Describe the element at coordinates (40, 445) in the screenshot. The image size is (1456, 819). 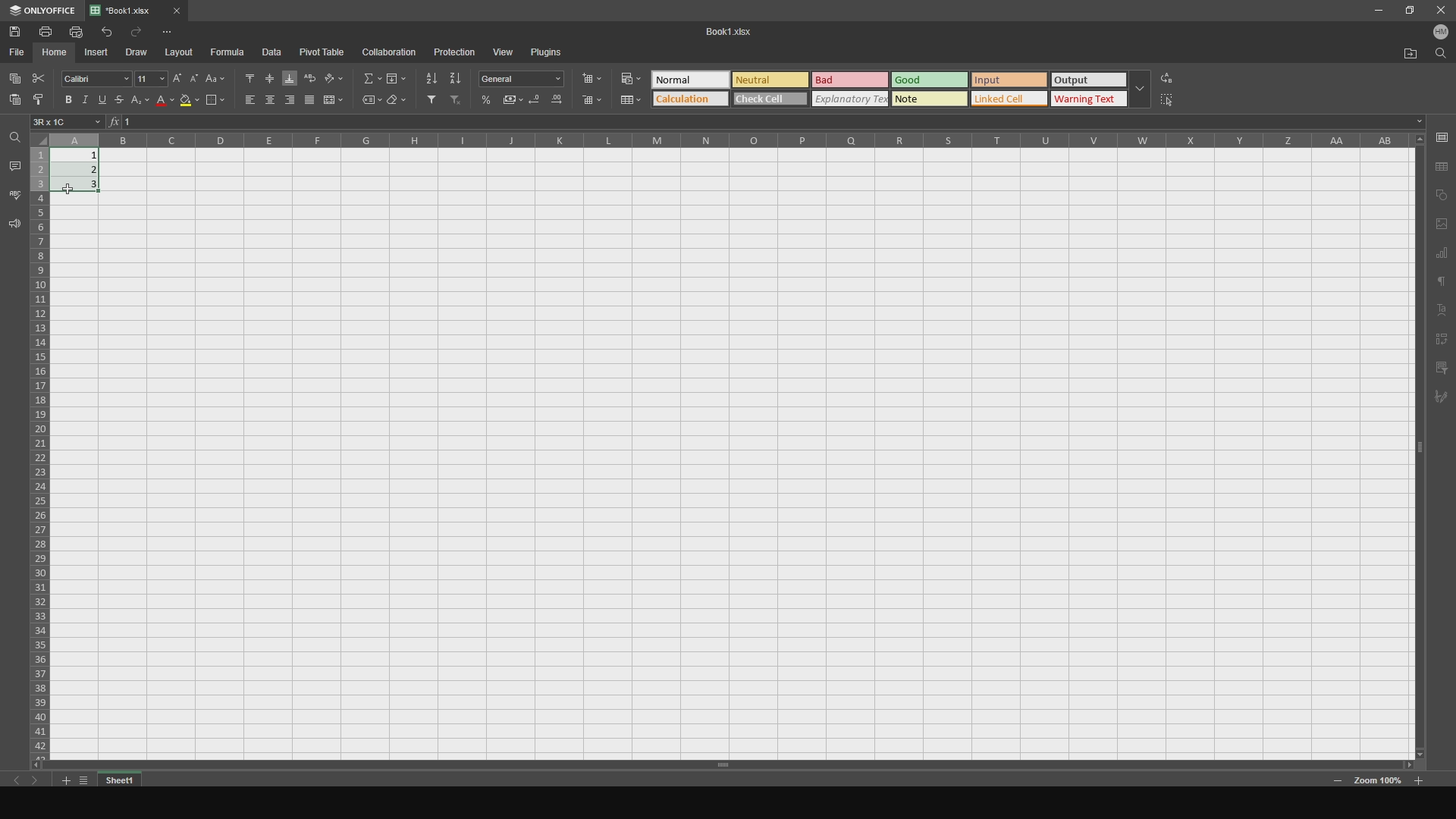
I see `cells` at that location.